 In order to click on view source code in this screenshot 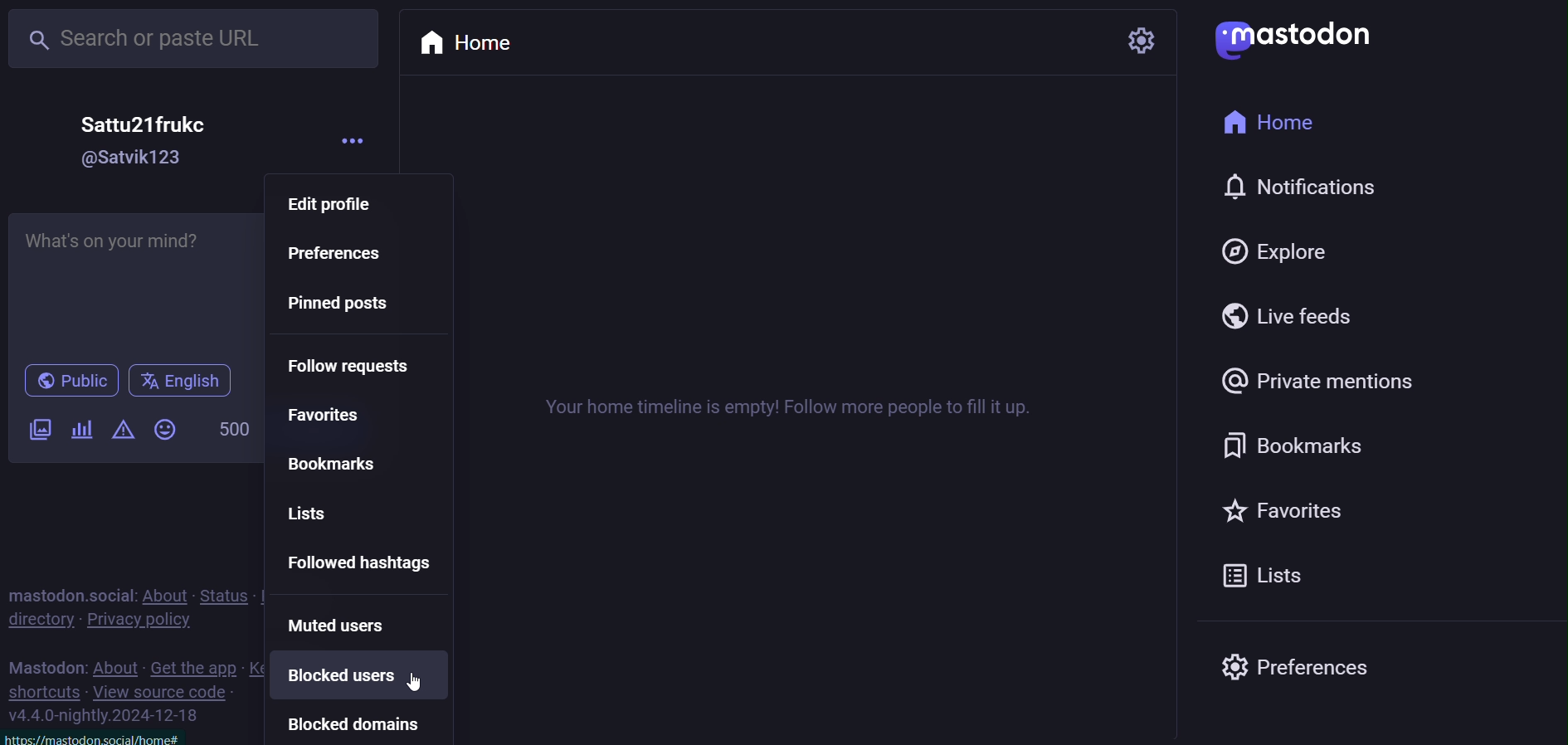, I will do `click(168, 692)`.